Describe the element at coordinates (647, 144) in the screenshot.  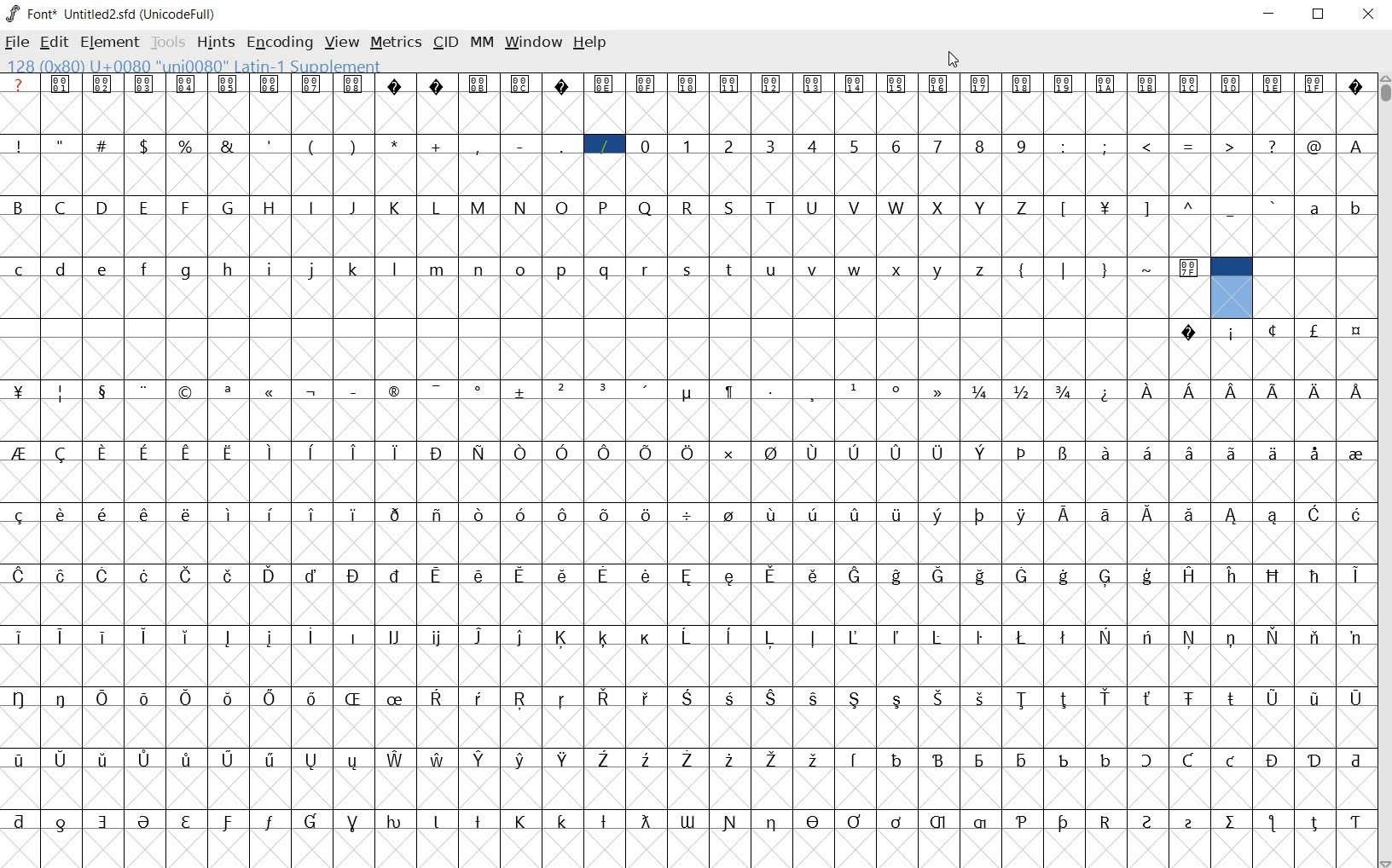
I see `0` at that location.